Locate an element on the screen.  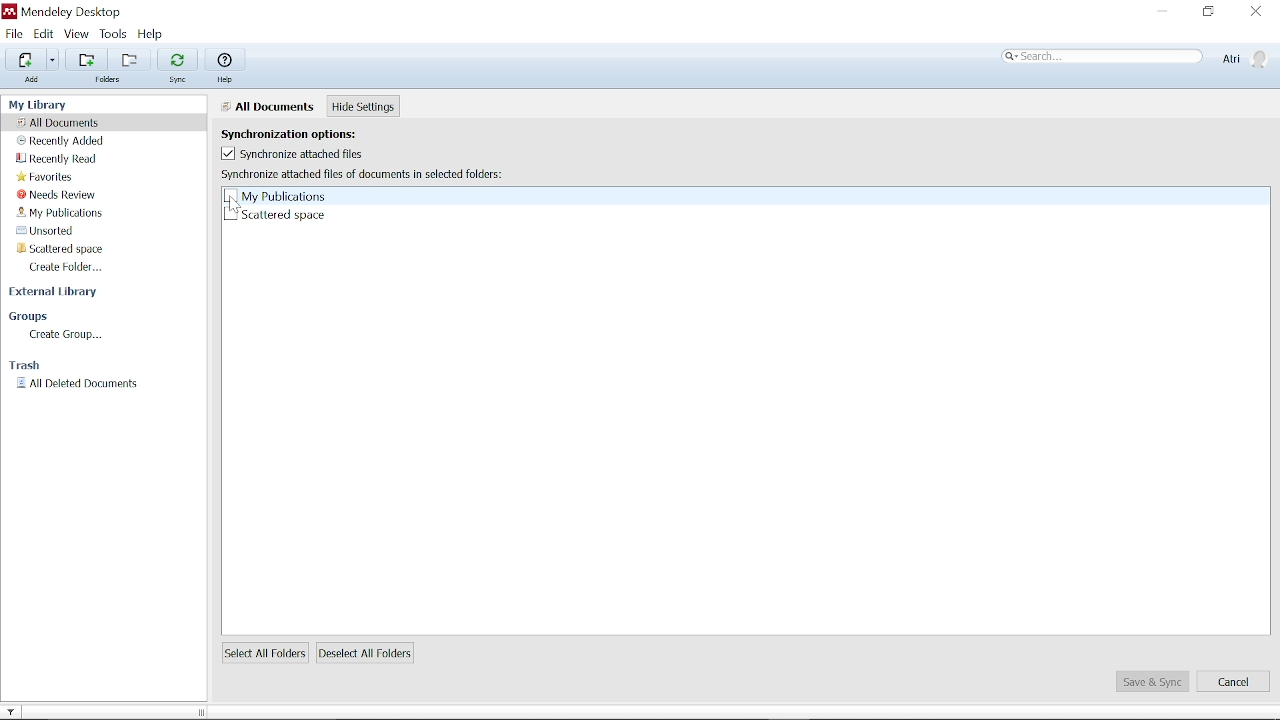
View is located at coordinates (78, 34).